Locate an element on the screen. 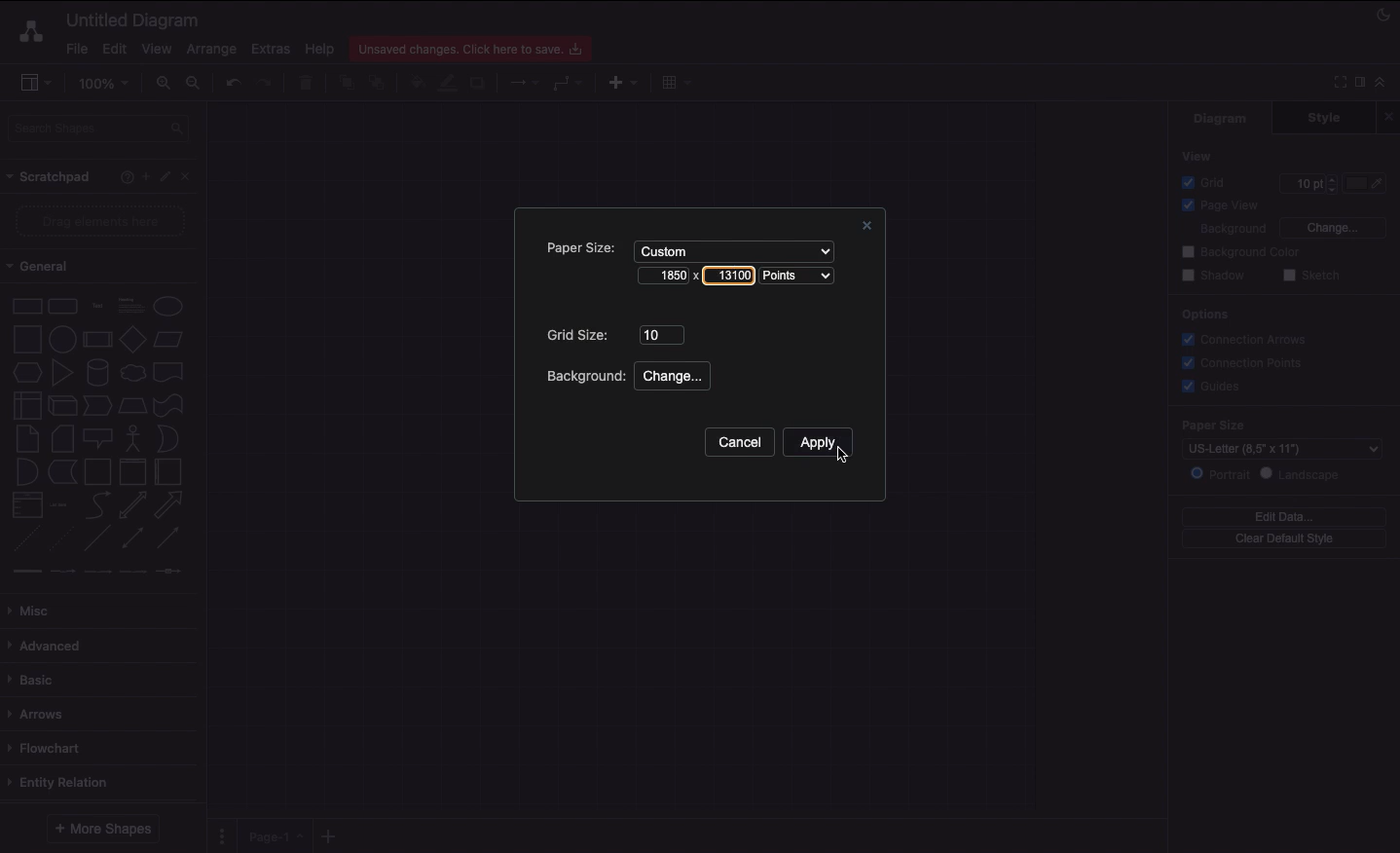 This screenshot has height=853, width=1400. 1850 is located at coordinates (665, 275).